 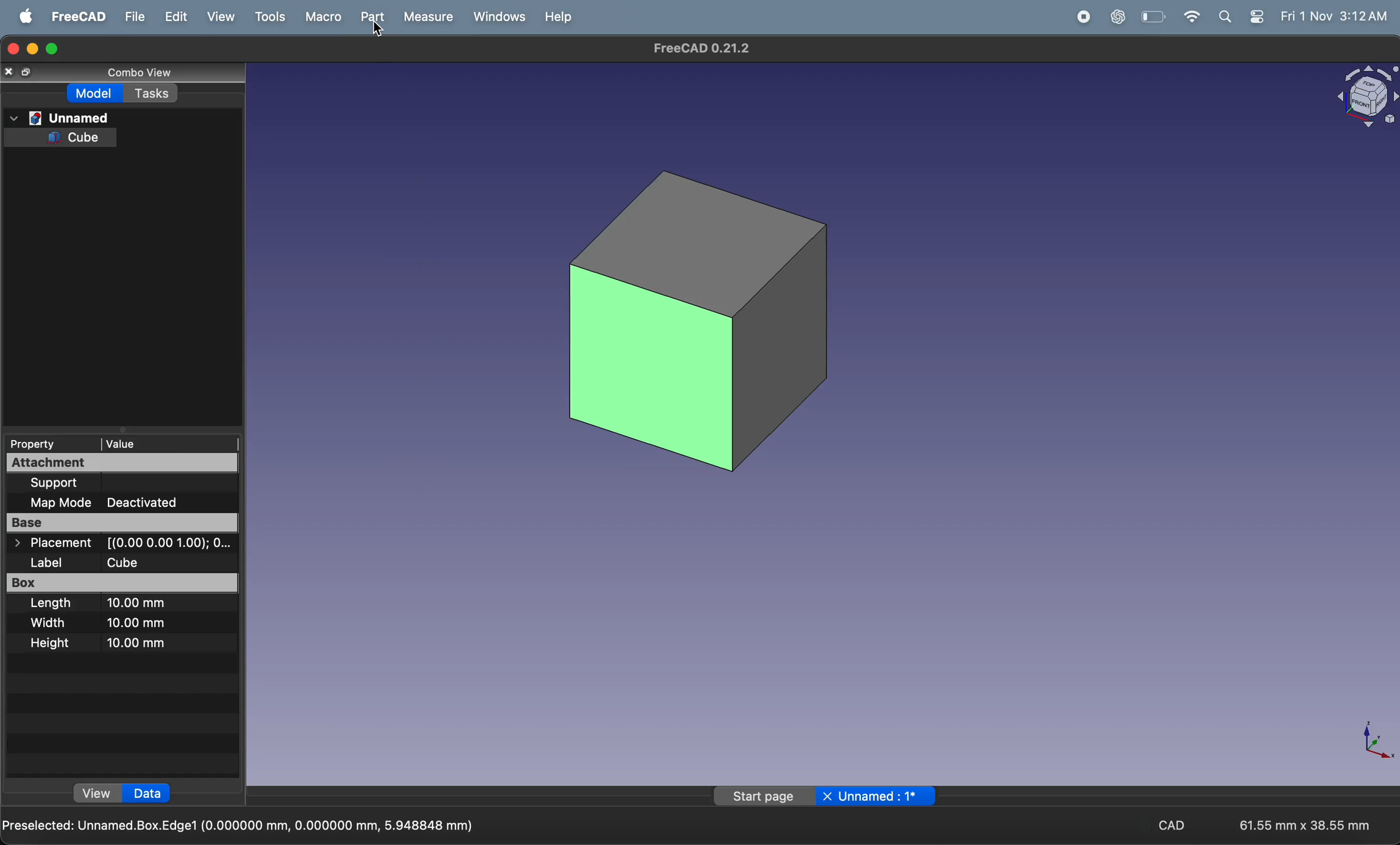 I want to click on record, so click(x=1085, y=16).